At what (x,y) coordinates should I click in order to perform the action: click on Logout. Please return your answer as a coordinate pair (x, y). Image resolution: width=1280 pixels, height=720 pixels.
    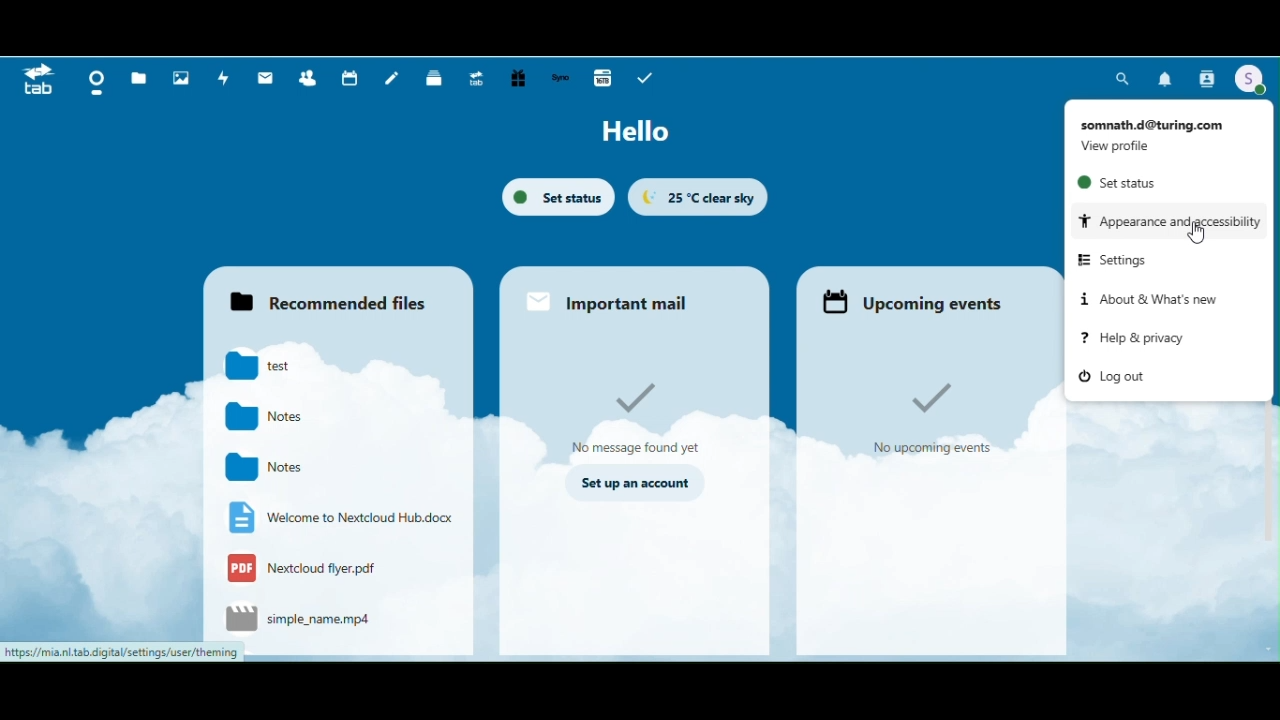
    Looking at the image, I should click on (1119, 378).